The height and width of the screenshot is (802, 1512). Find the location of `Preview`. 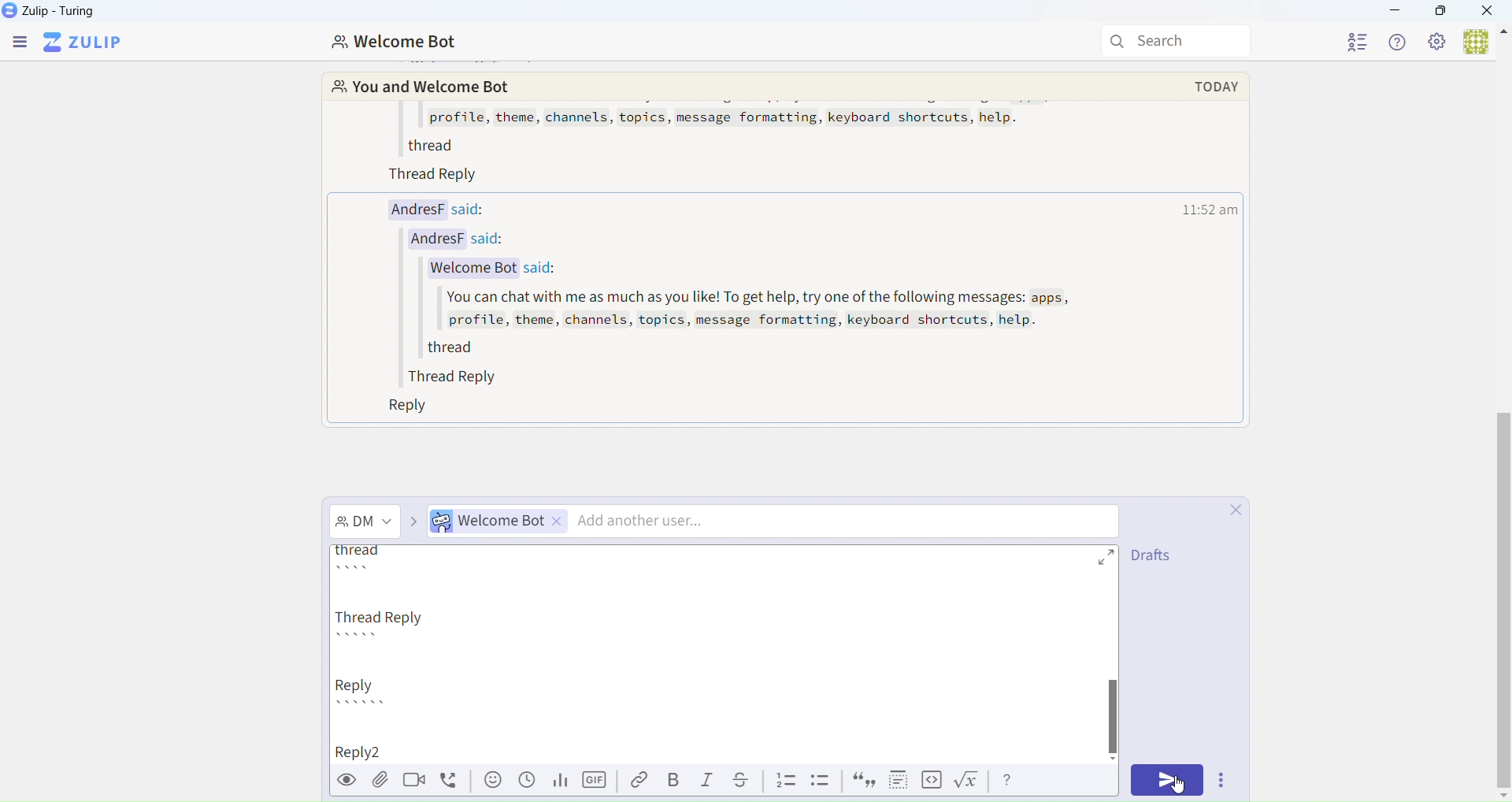

Preview is located at coordinates (348, 779).